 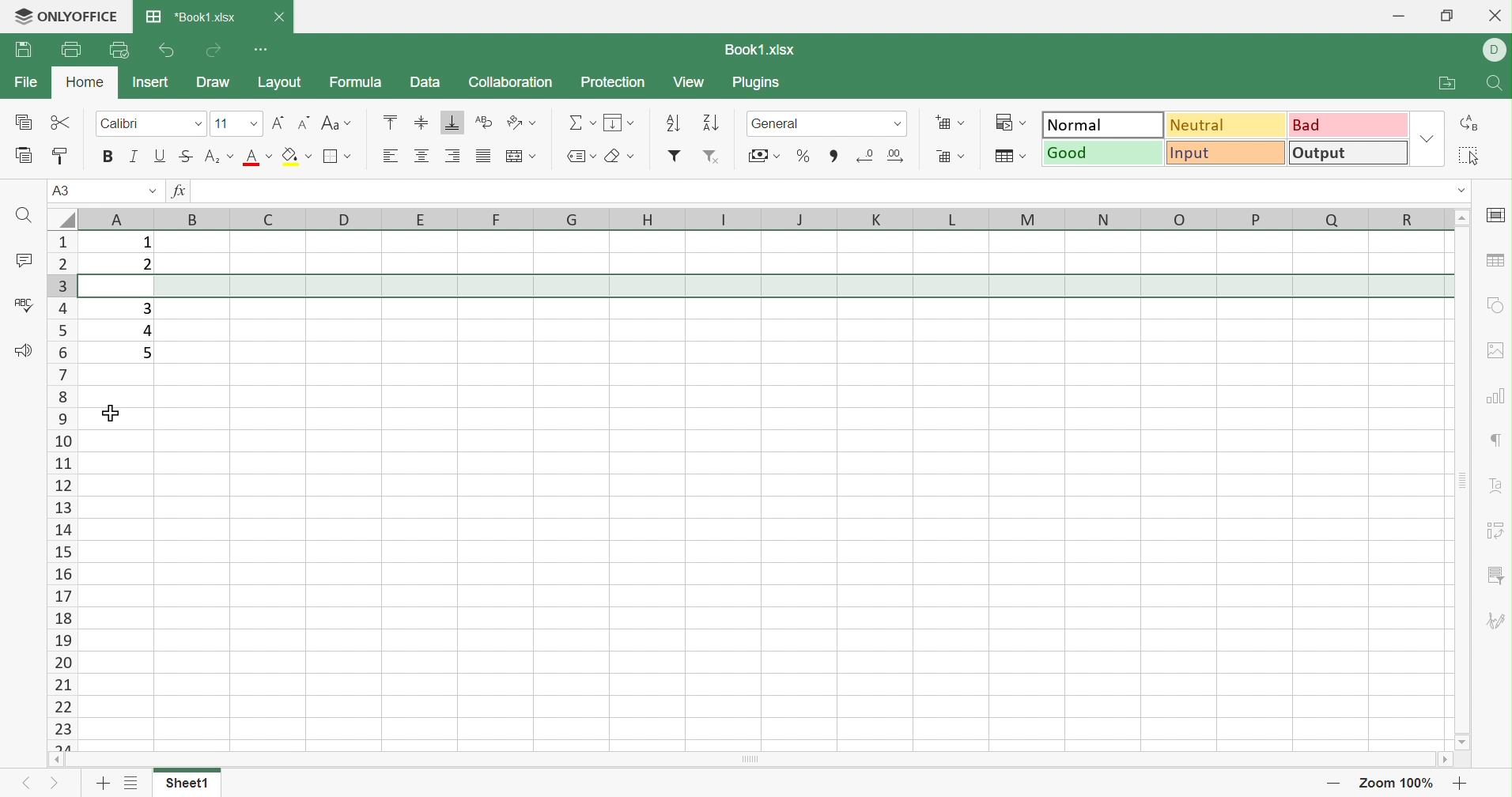 I want to click on Clear, so click(x=614, y=157).